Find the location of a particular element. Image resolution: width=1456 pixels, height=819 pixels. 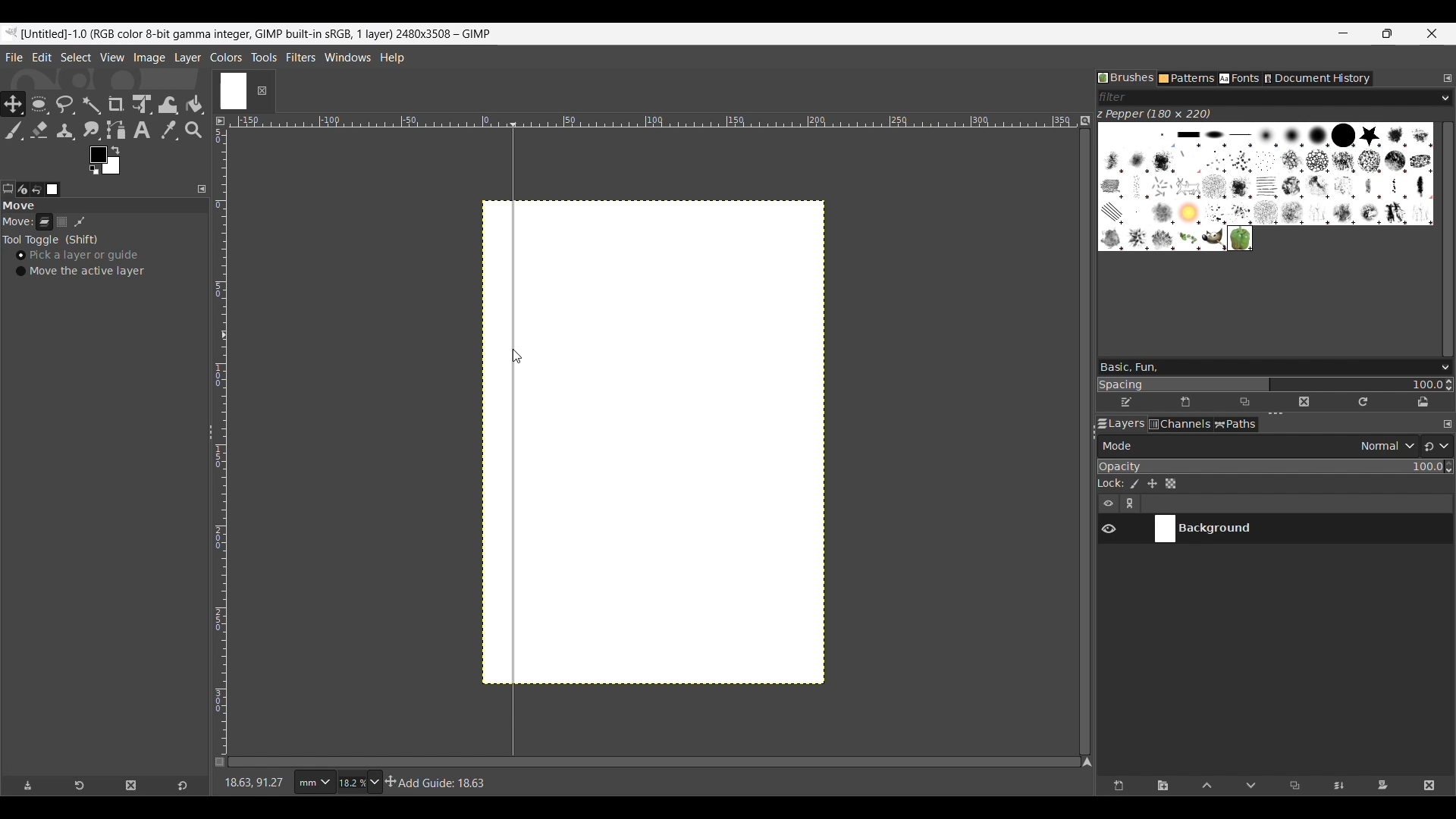

Lock alpha channel is located at coordinates (1170, 484).